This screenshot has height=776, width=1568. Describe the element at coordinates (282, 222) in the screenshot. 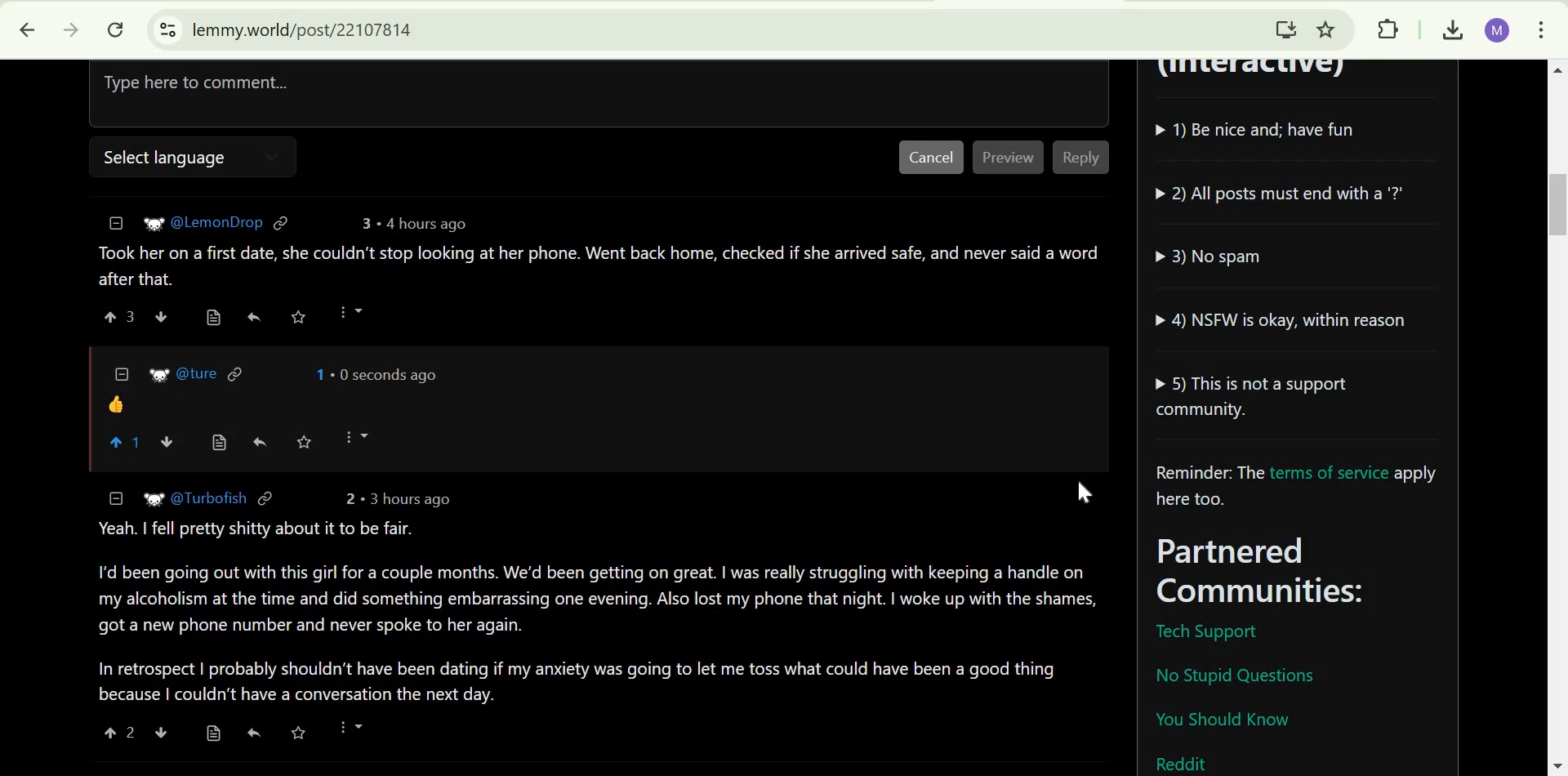

I see `link` at that location.